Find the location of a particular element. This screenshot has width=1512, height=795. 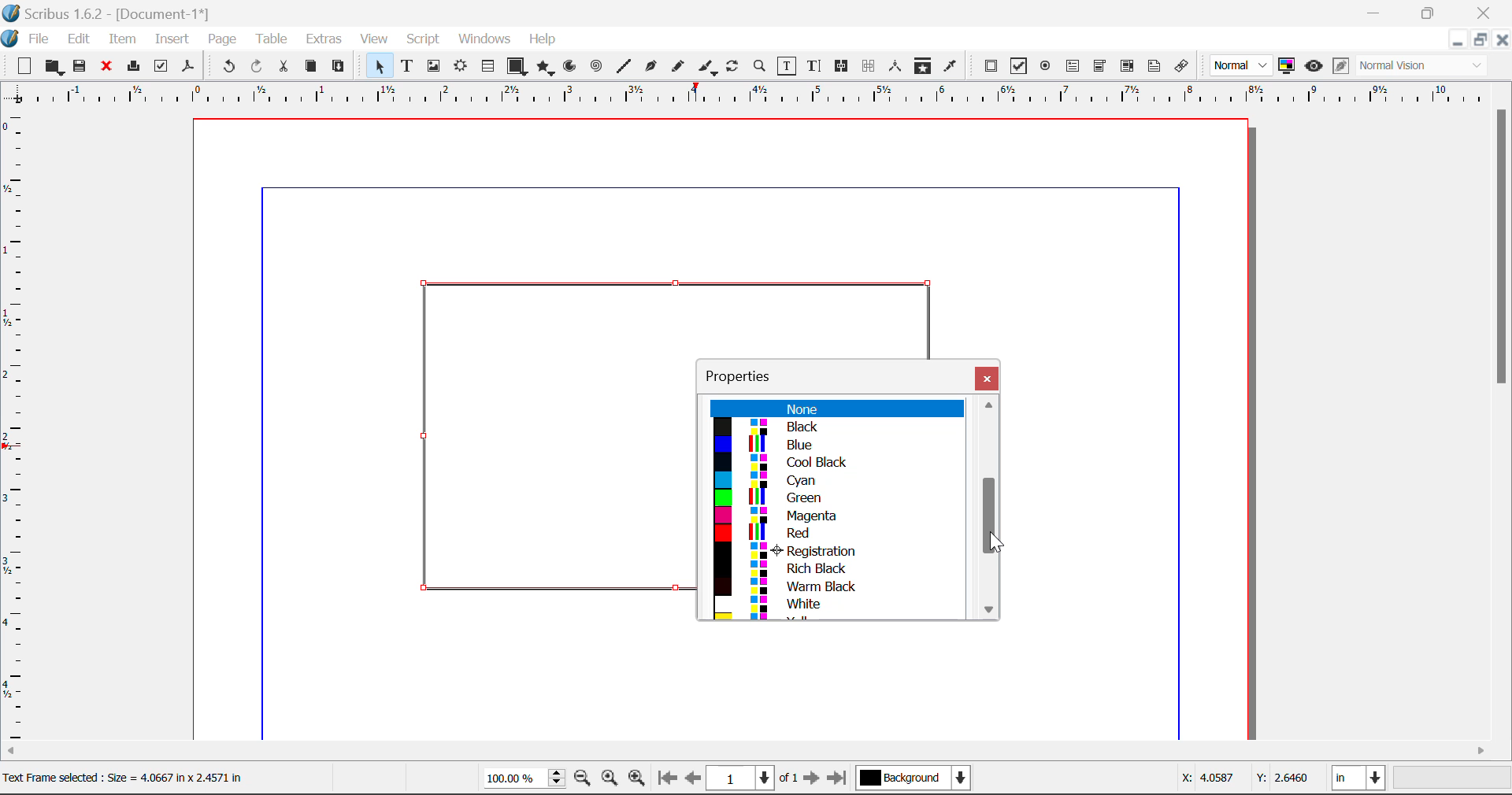

Close is located at coordinates (1485, 13).